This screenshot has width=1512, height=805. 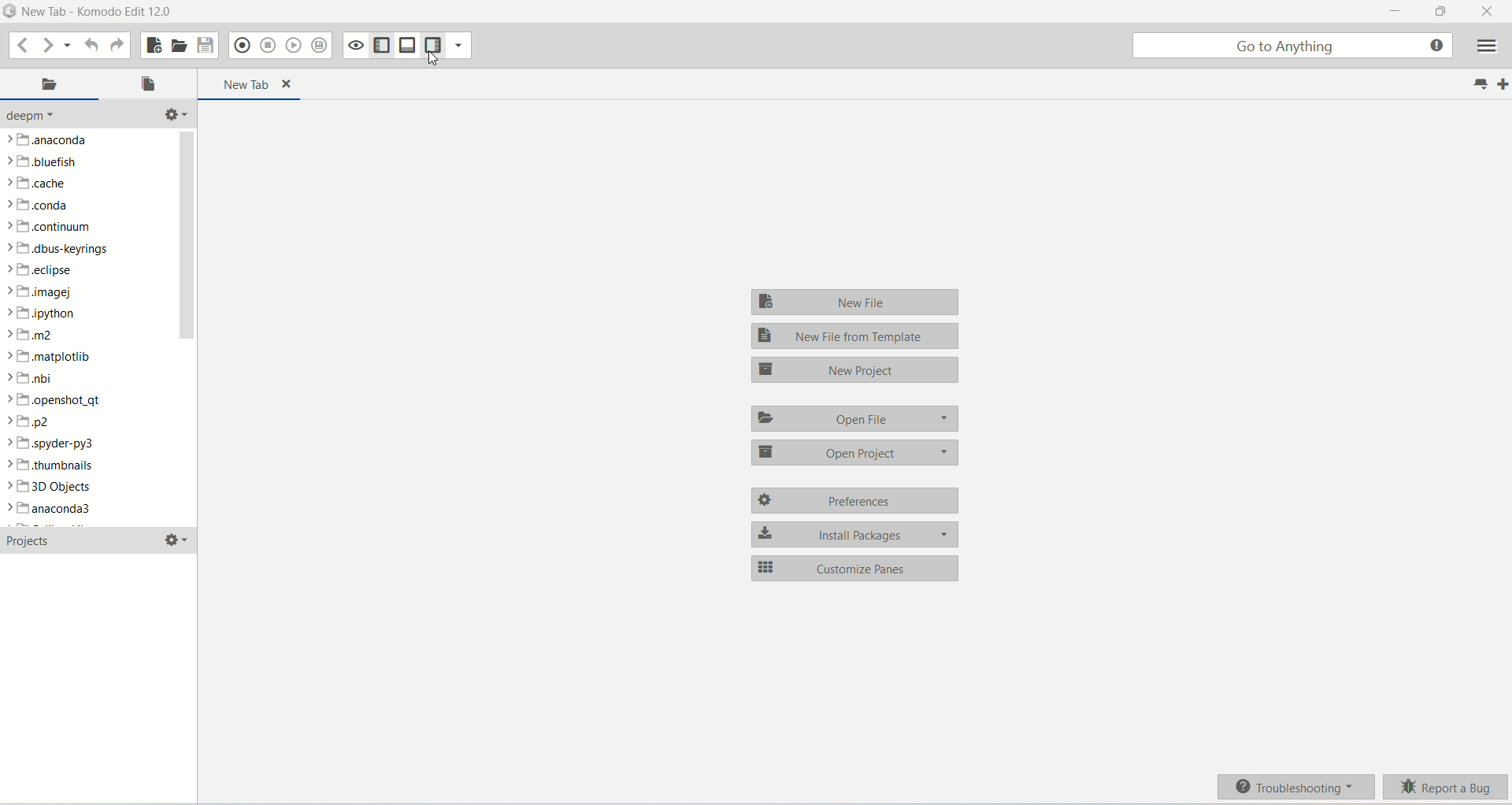 I want to click on cache, so click(x=42, y=183).